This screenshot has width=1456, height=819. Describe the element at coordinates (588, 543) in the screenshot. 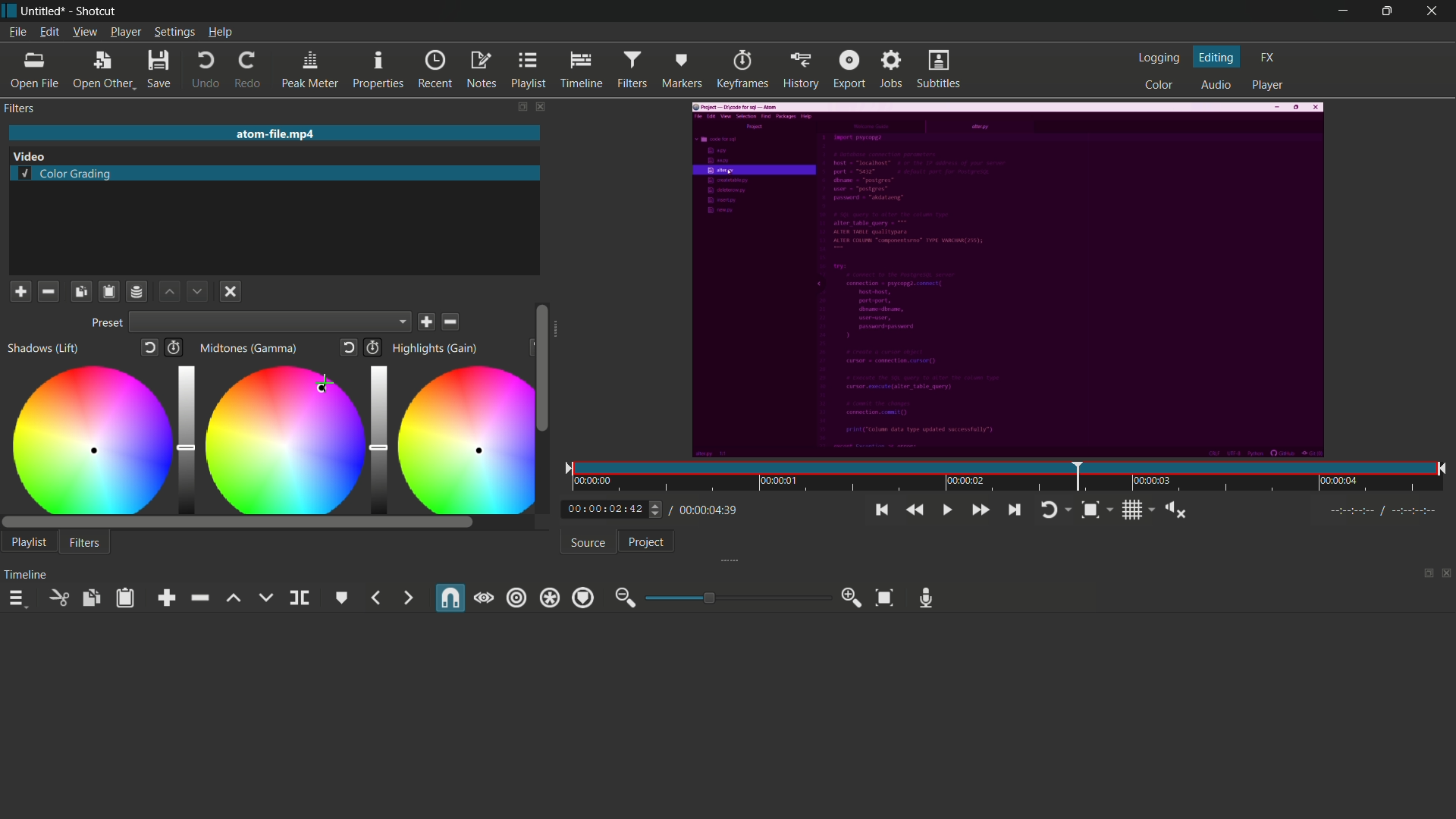

I see `source` at that location.